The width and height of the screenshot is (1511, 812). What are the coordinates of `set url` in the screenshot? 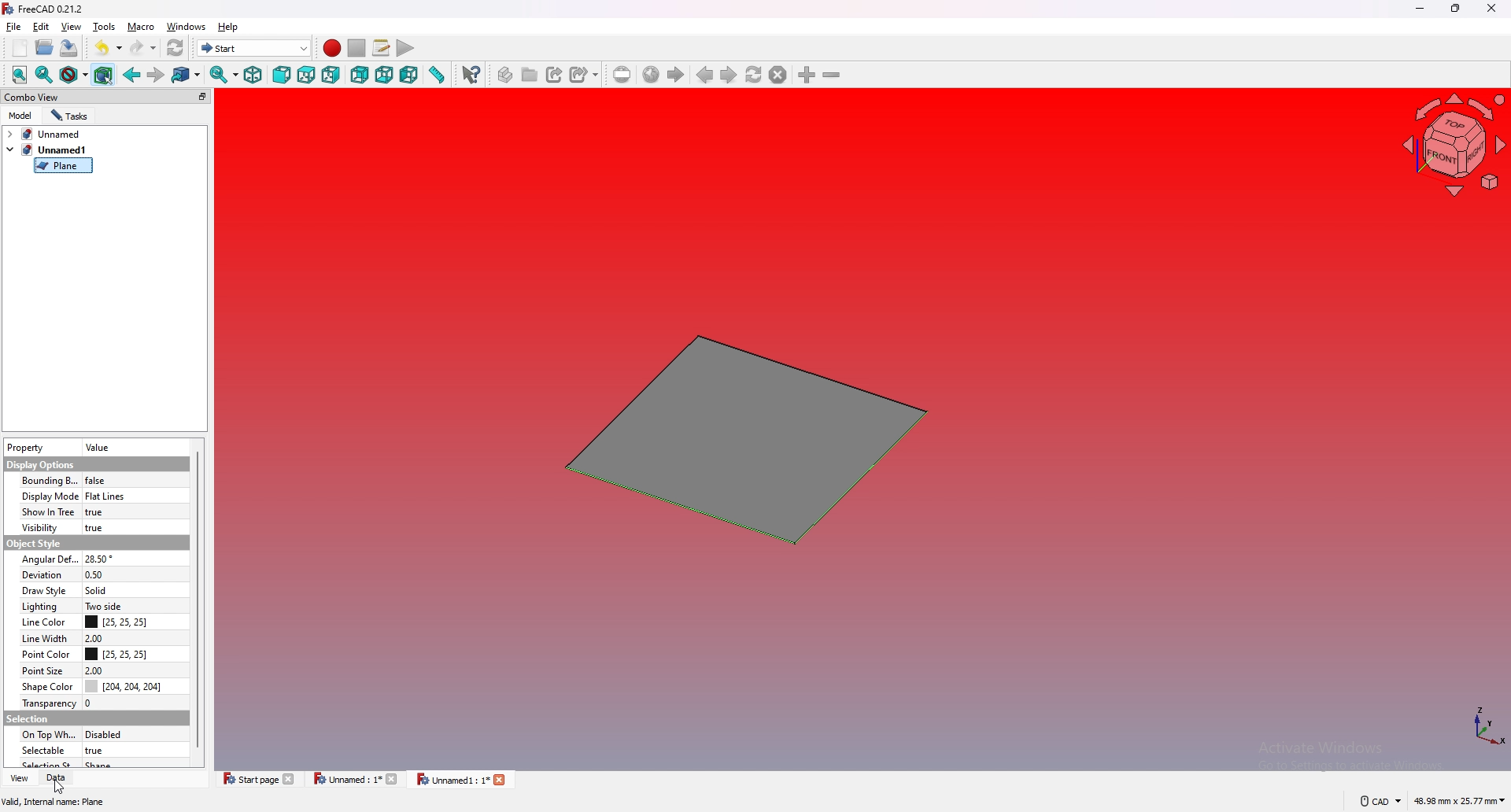 It's located at (623, 75).